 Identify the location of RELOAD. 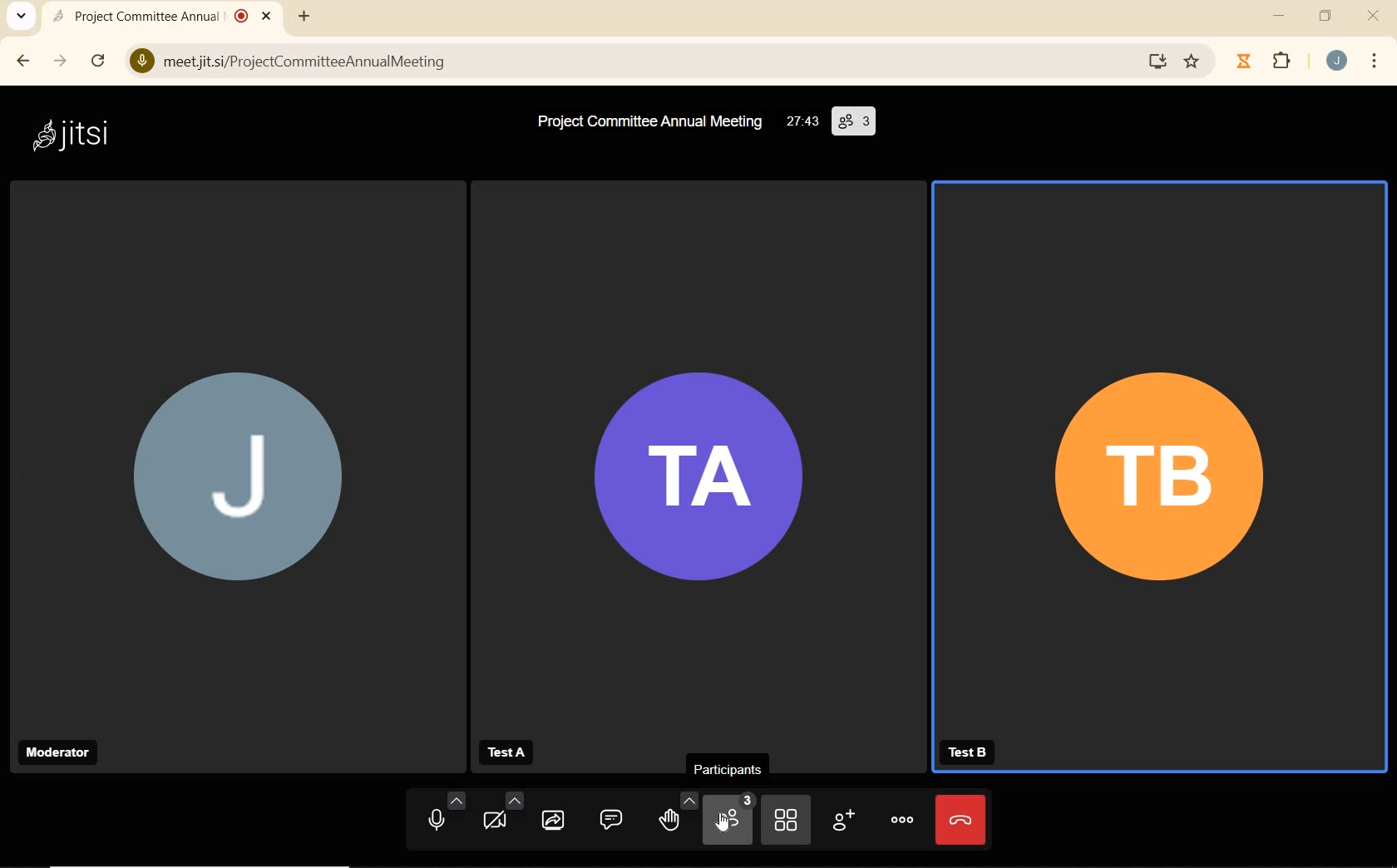
(97, 62).